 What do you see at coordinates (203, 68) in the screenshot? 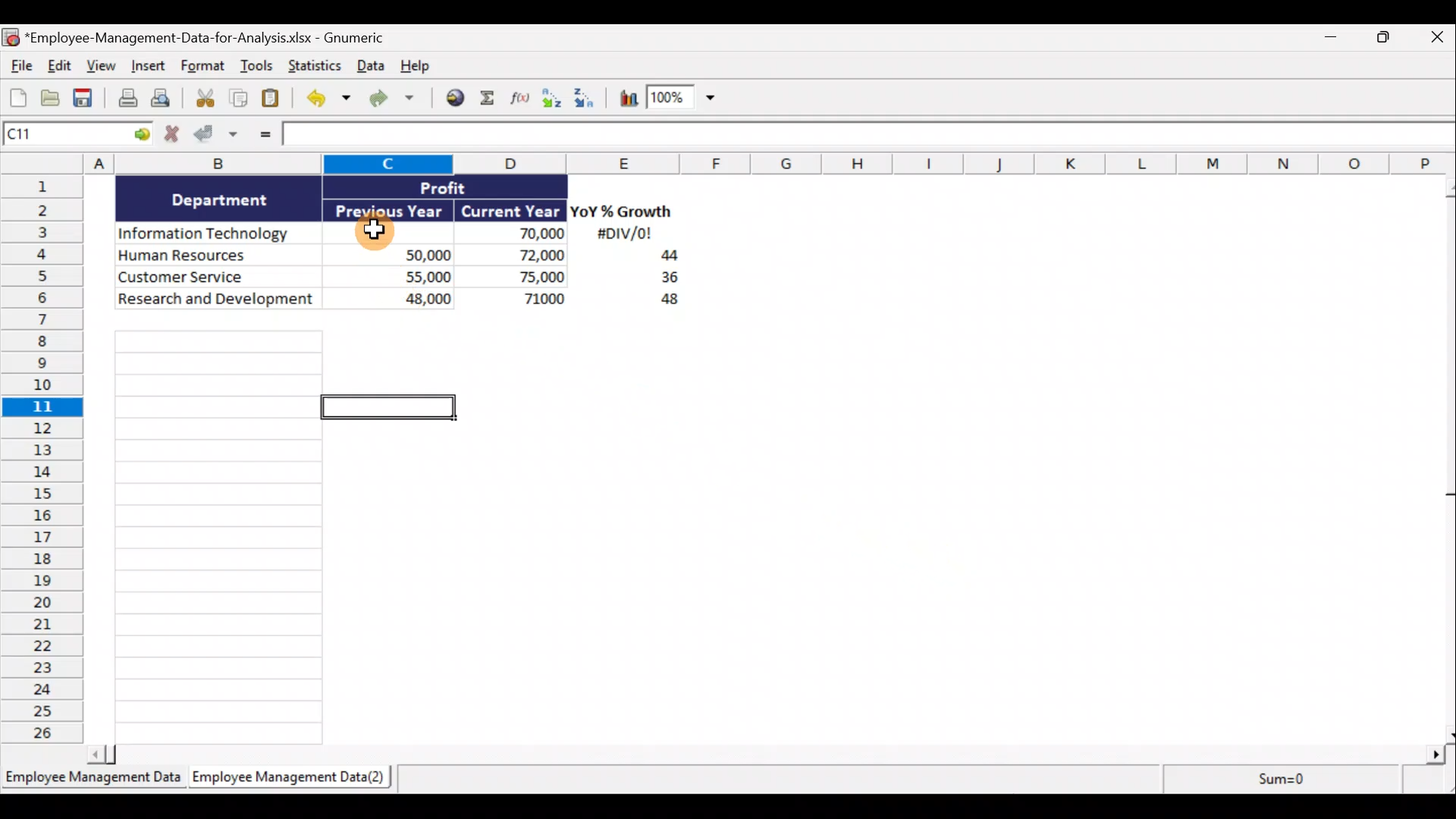
I see `Format` at bounding box center [203, 68].